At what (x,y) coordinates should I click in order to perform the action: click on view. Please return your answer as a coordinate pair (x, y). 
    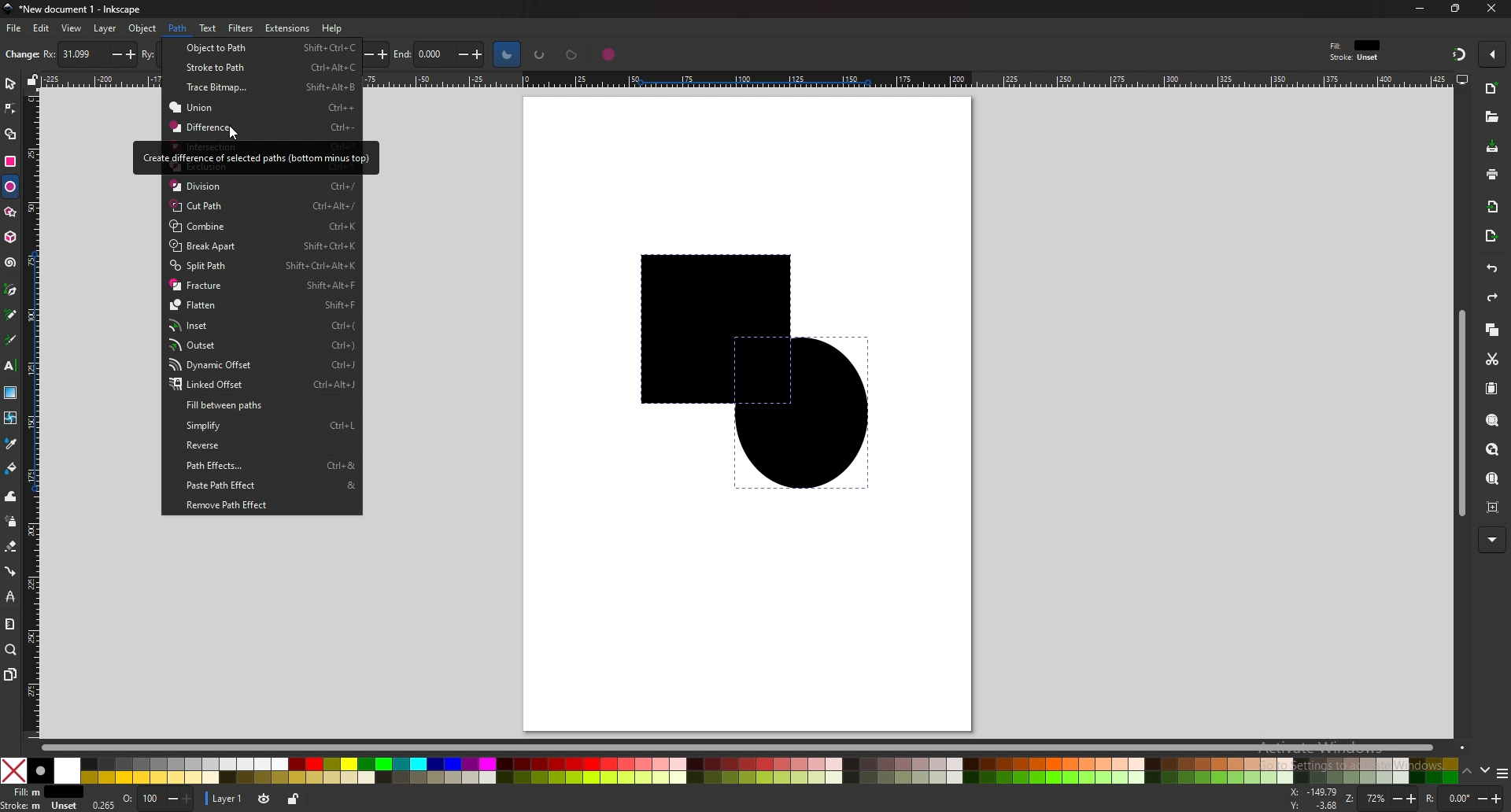
    Looking at the image, I should click on (72, 28).